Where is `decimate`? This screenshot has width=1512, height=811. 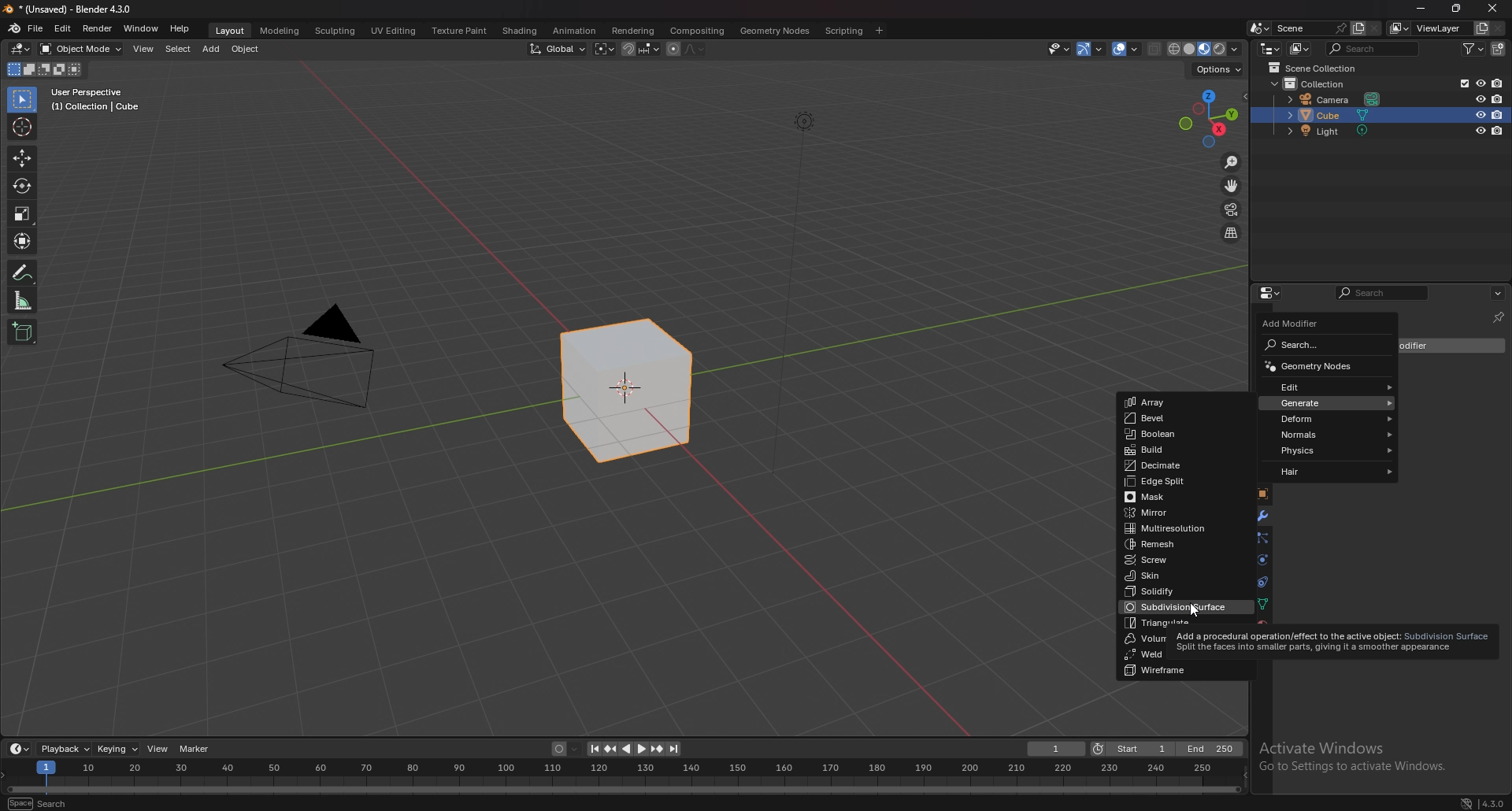 decimate is located at coordinates (1184, 465).